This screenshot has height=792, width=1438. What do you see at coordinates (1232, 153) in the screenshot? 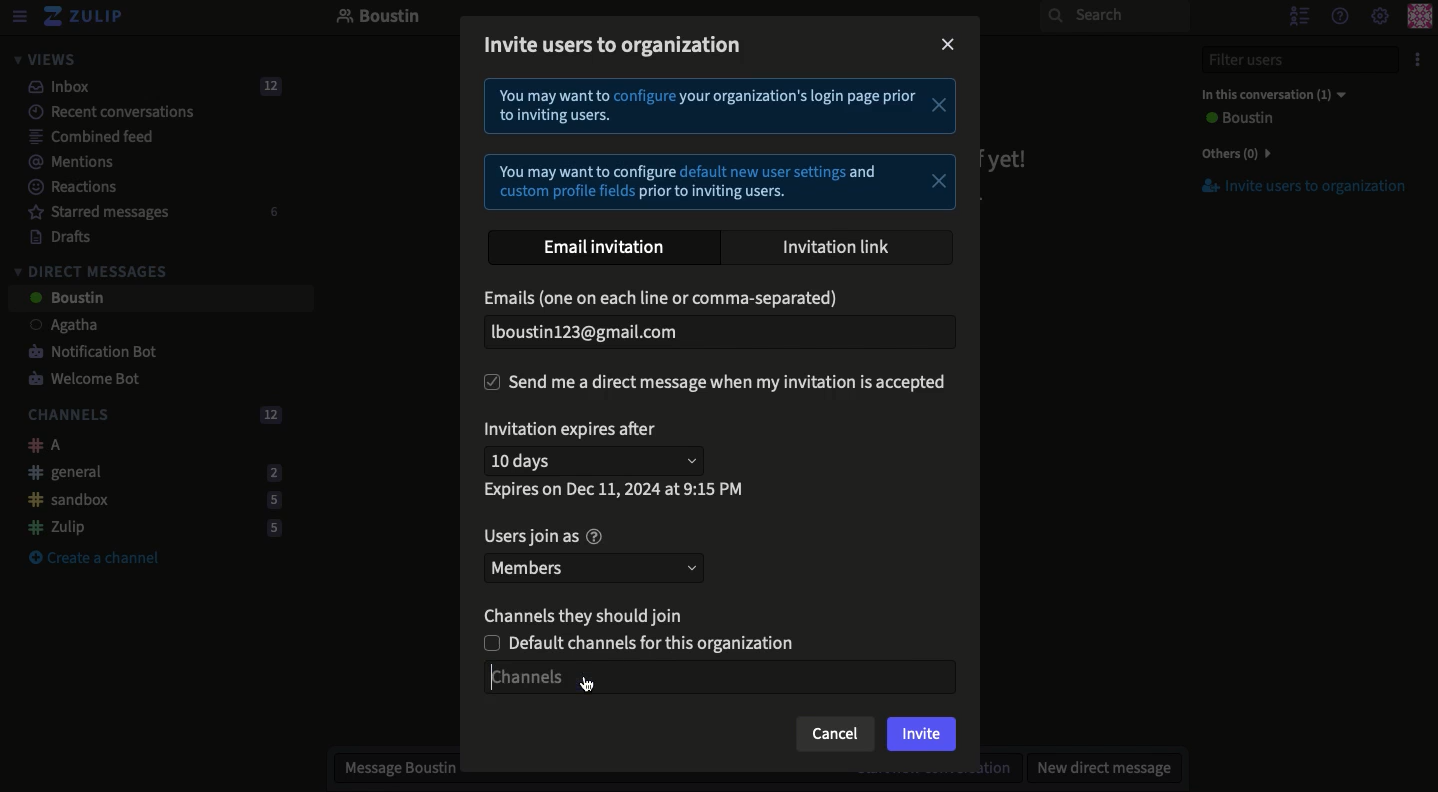
I see `Others` at bounding box center [1232, 153].